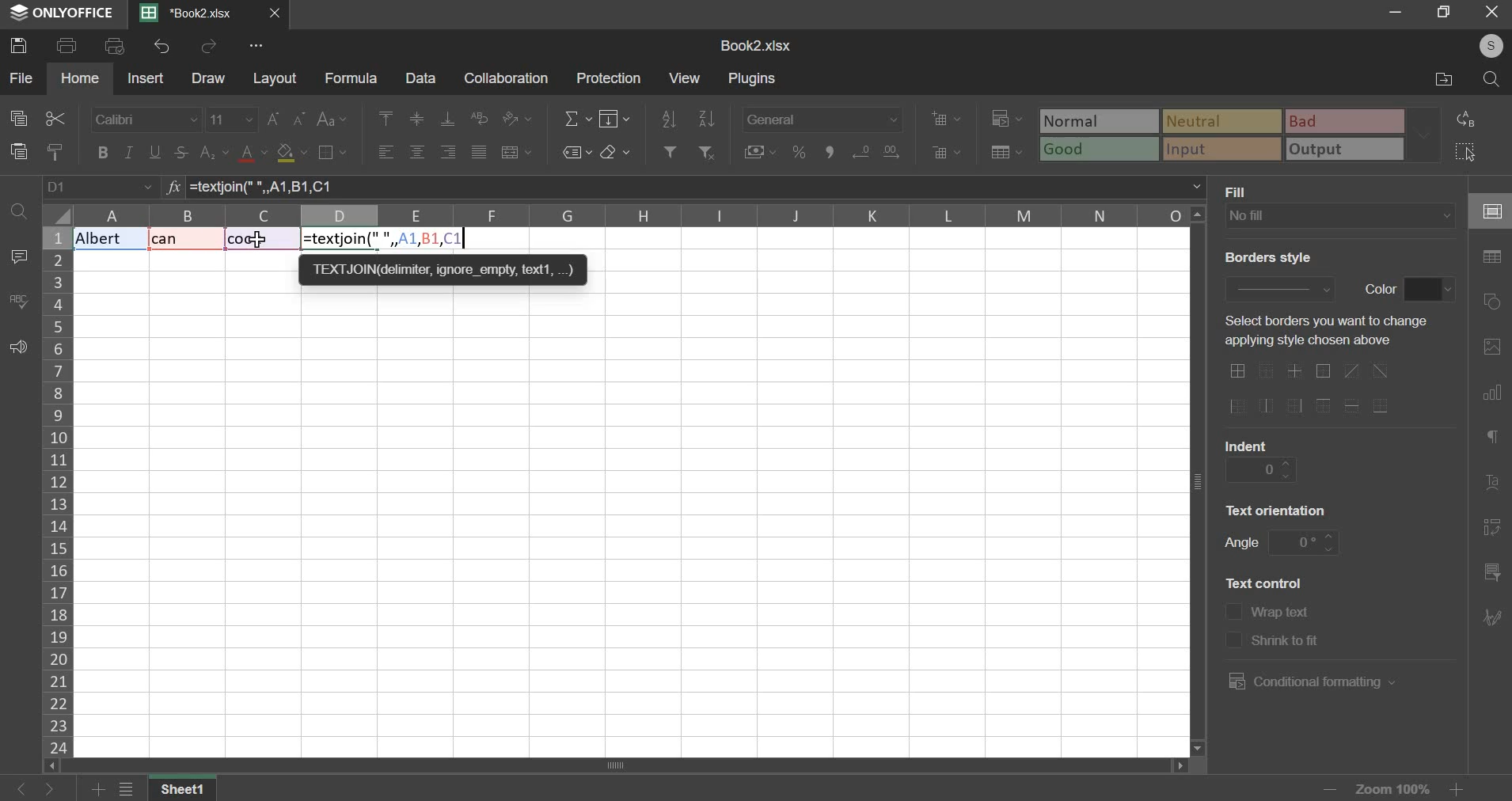  What do you see at coordinates (613, 766) in the screenshot?
I see `scroll bar` at bounding box center [613, 766].